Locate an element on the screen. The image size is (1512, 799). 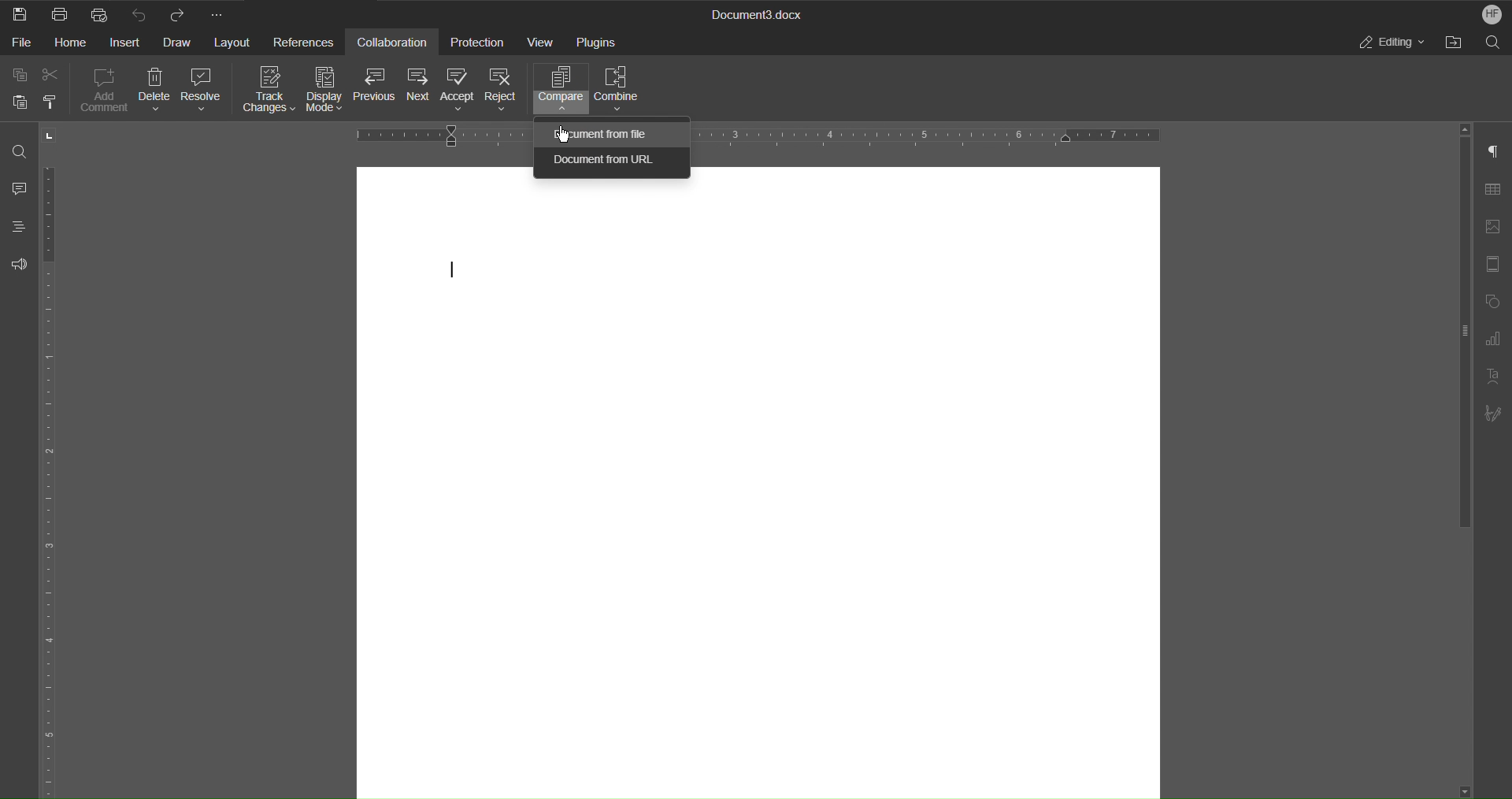
More is located at coordinates (220, 14).